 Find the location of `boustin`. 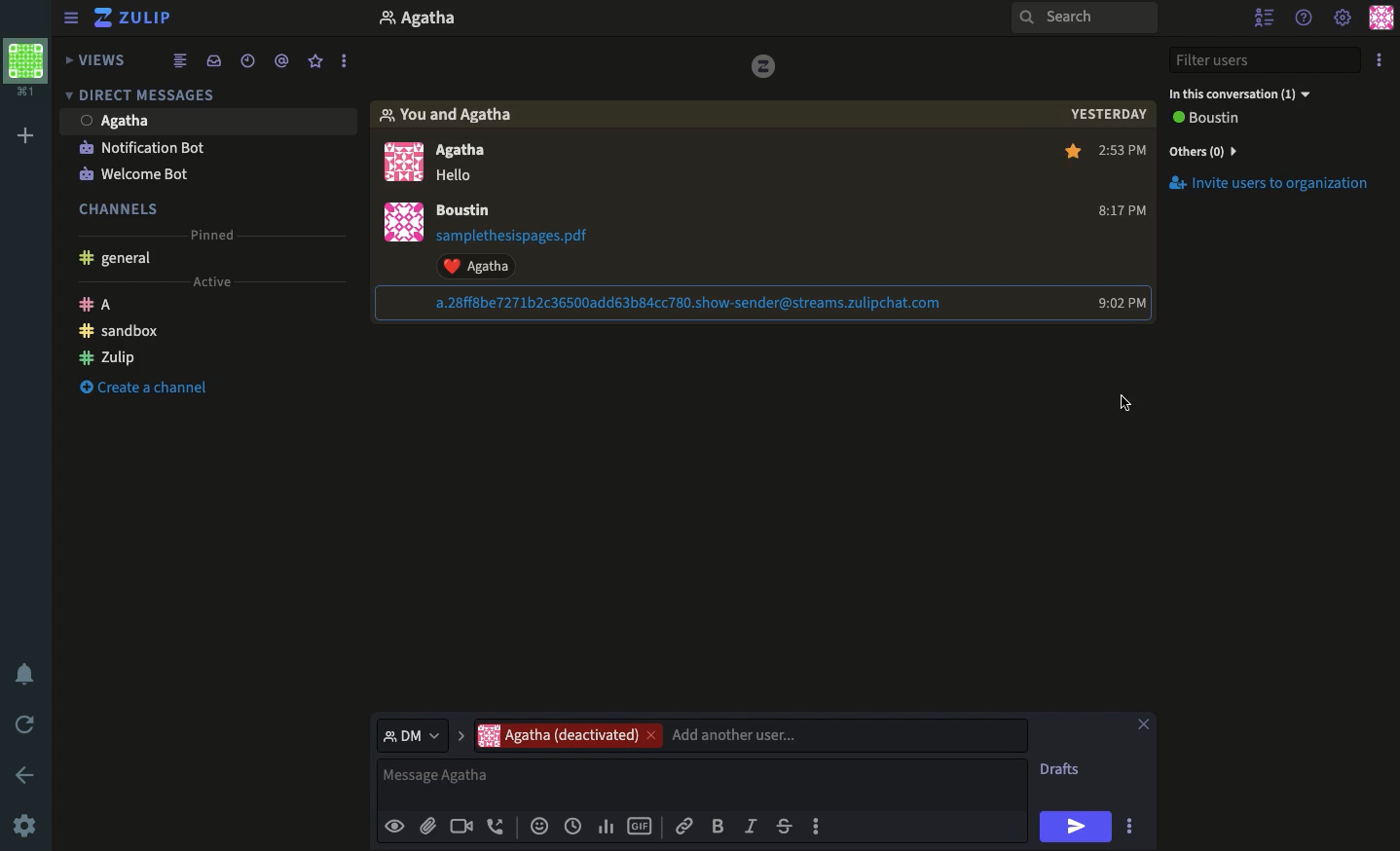

boustin is located at coordinates (1207, 118).